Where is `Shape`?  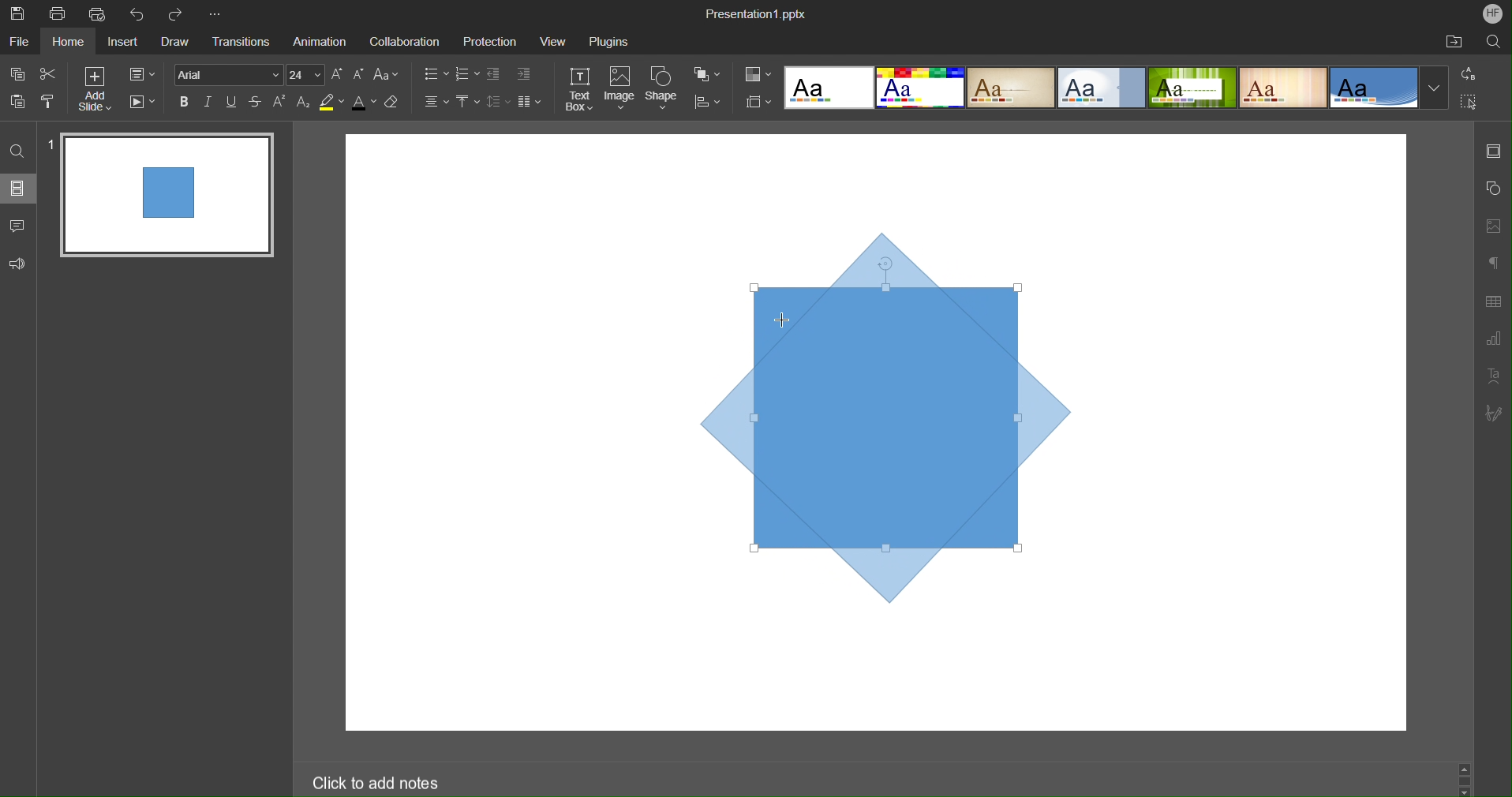 Shape is located at coordinates (663, 88).